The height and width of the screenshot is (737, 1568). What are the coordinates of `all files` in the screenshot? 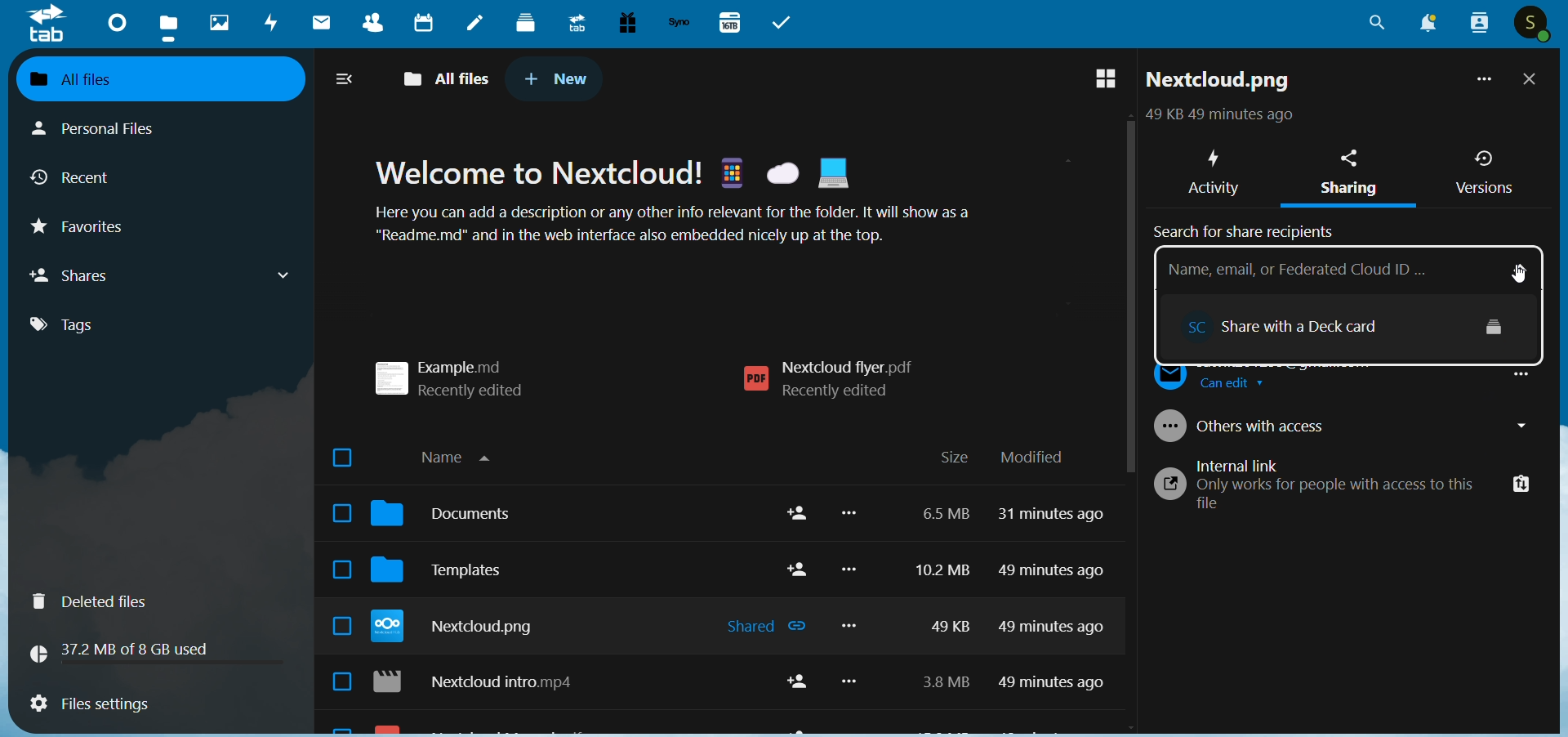 It's located at (450, 76).